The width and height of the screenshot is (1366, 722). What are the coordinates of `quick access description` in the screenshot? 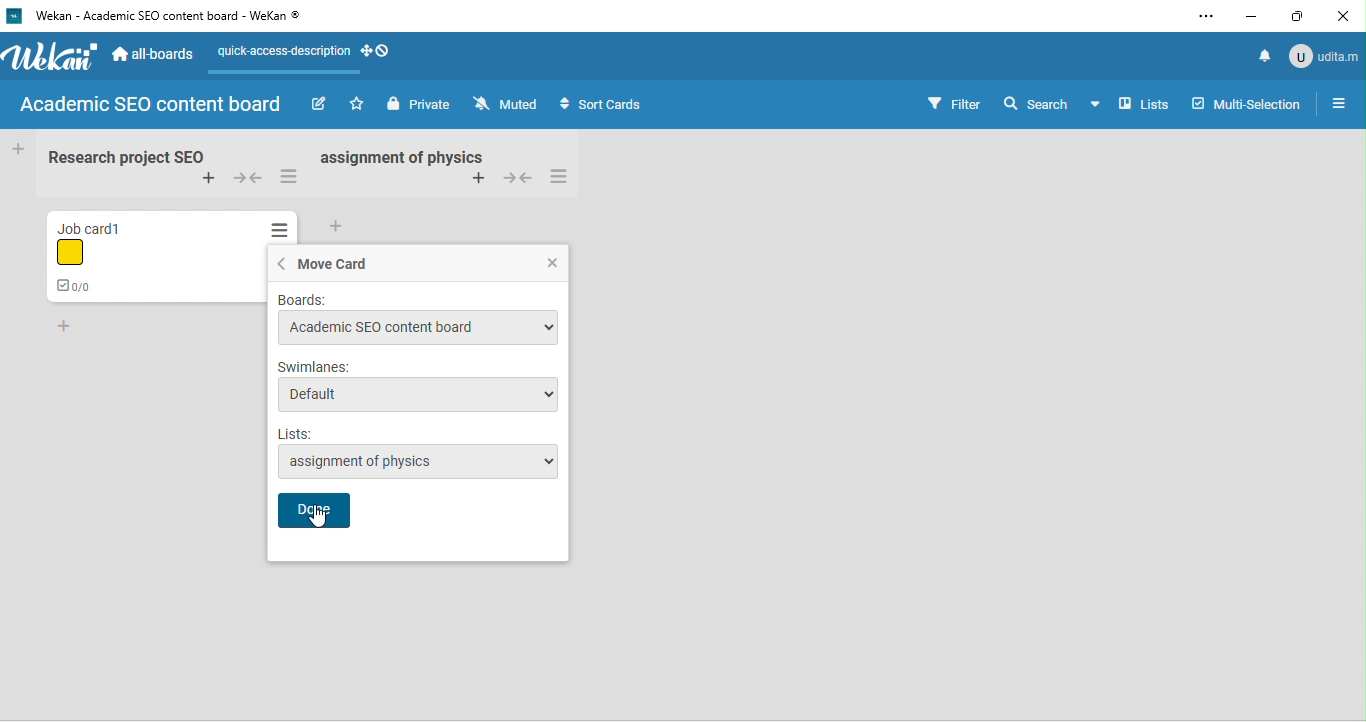 It's located at (288, 53).